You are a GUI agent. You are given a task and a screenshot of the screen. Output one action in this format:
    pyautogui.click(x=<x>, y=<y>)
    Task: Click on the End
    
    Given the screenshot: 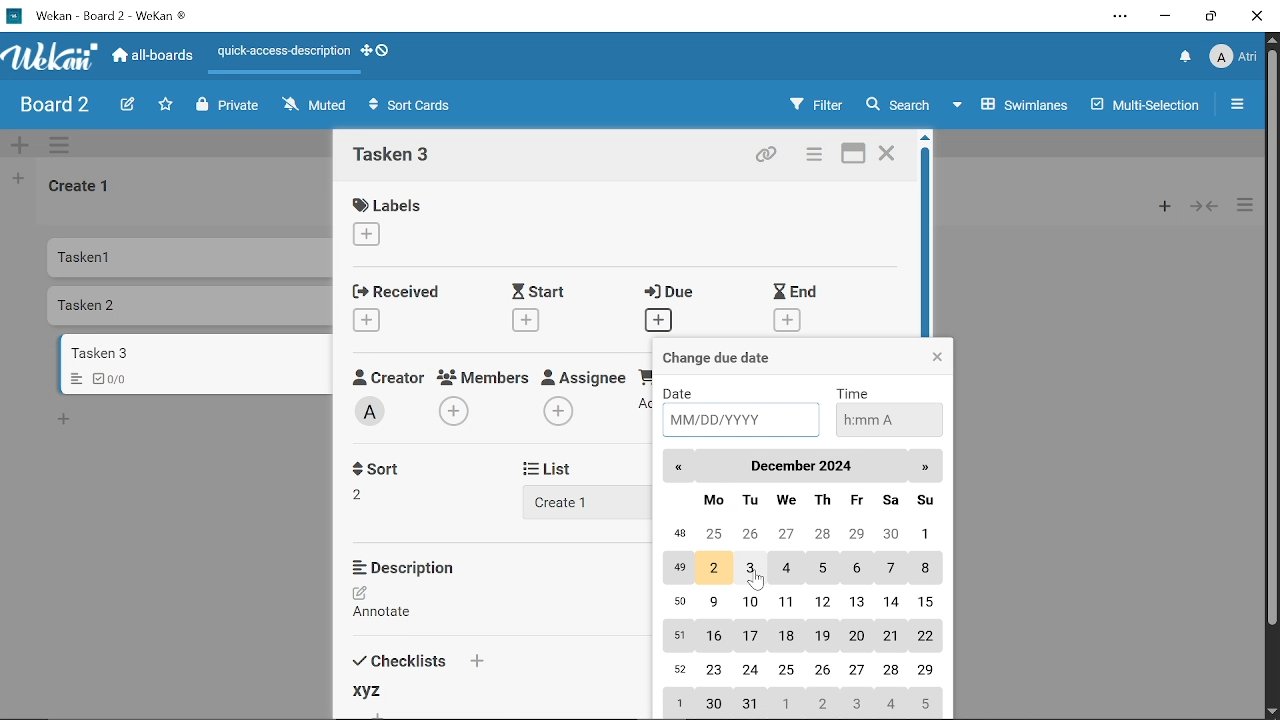 What is the action you would take?
    pyautogui.click(x=796, y=291)
    